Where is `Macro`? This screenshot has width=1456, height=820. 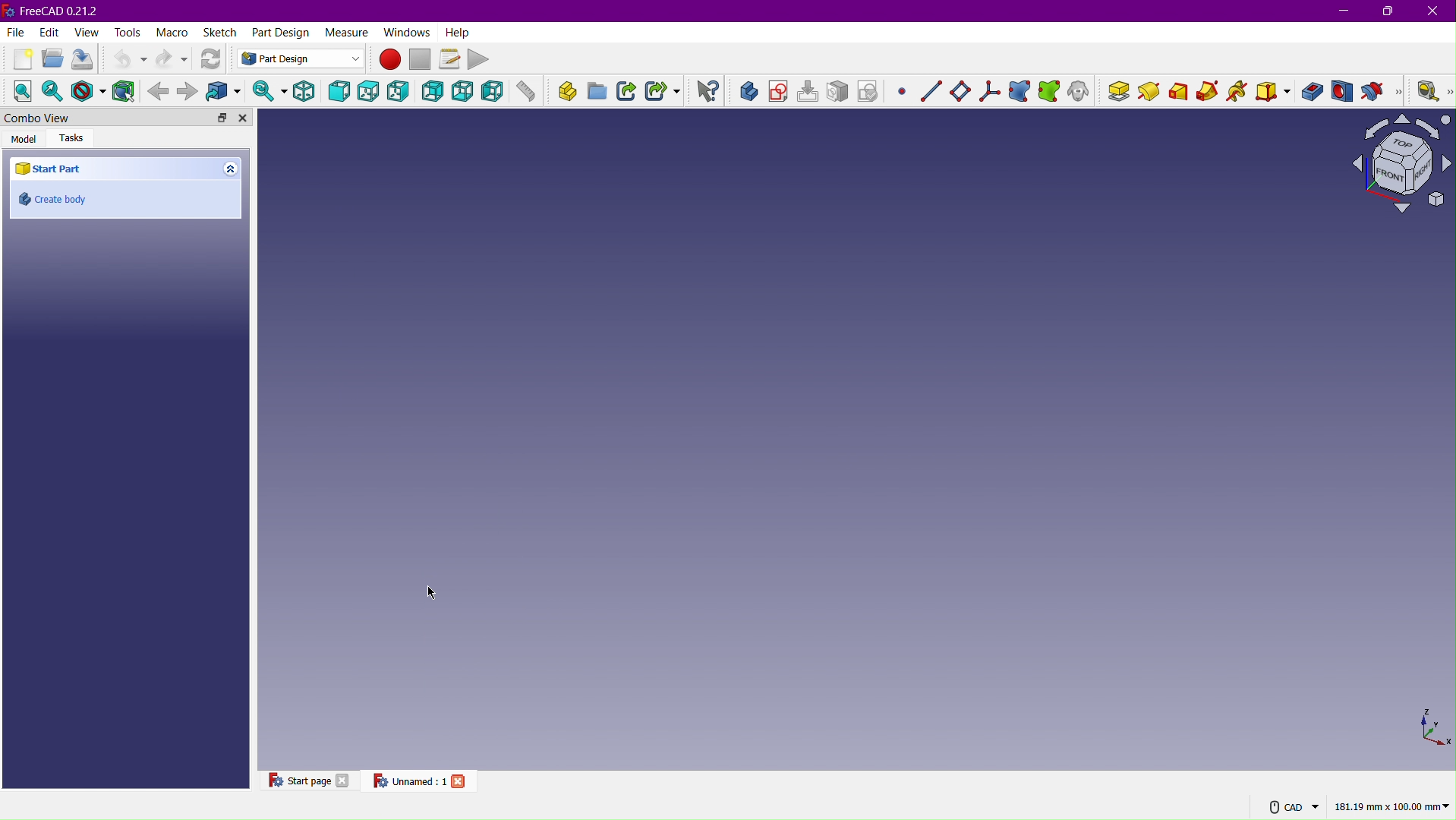 Macro is located at coordinates (176, 31).